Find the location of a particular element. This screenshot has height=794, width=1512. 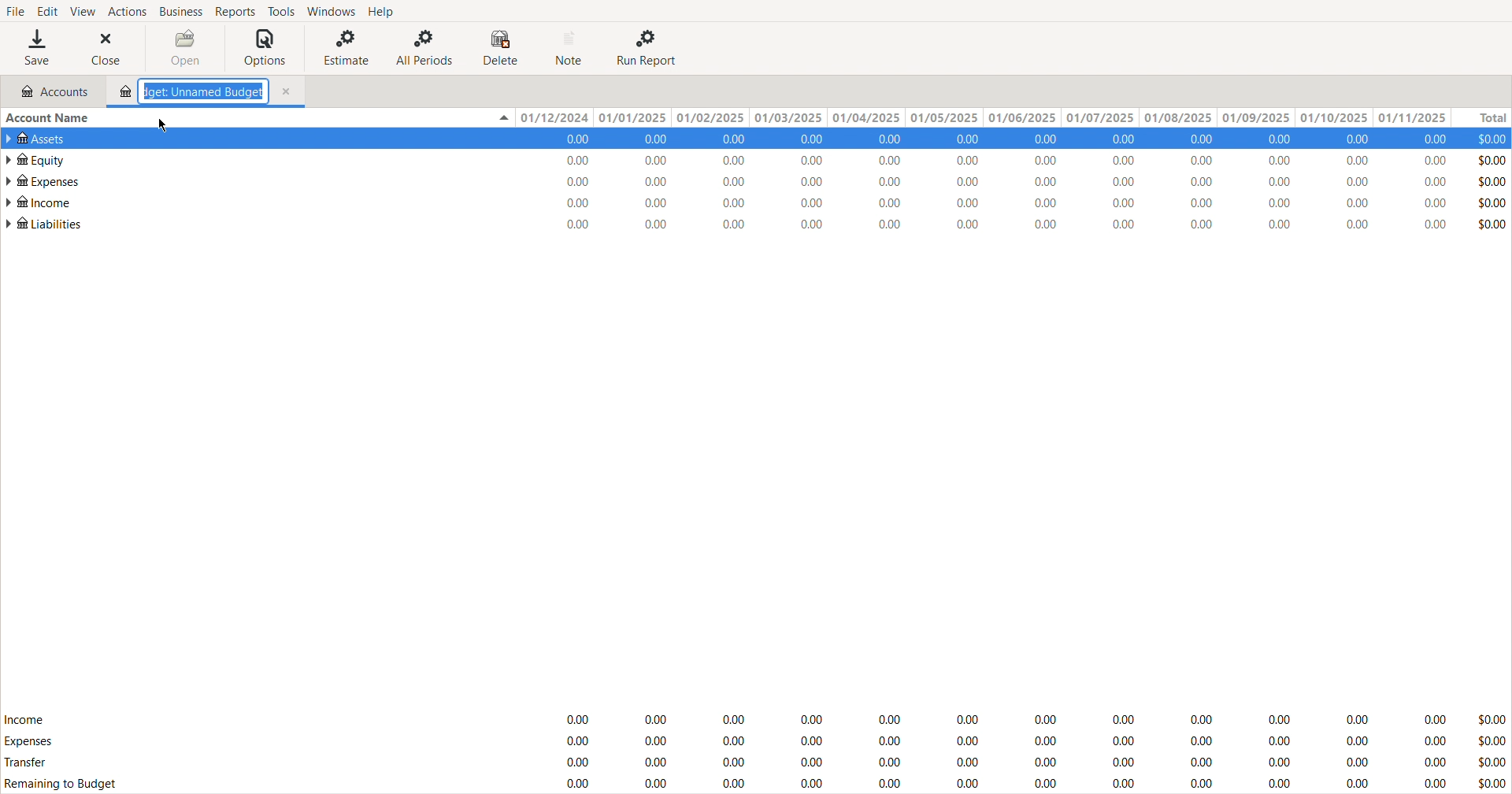

Account Name is located at coordinates (50, 115).